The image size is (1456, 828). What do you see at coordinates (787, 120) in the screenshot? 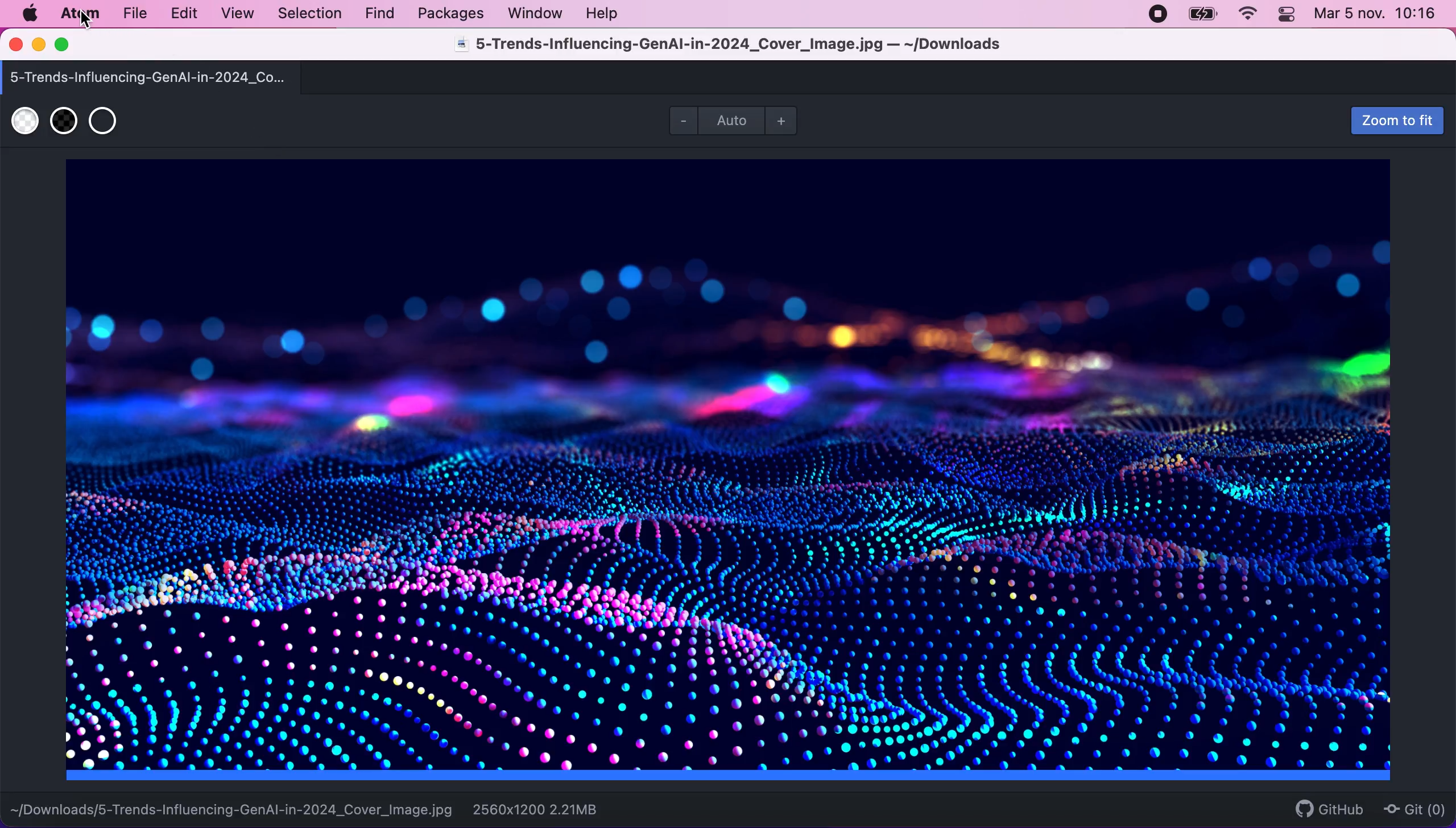
I see `zoom in` at bounding box center [787, 120].